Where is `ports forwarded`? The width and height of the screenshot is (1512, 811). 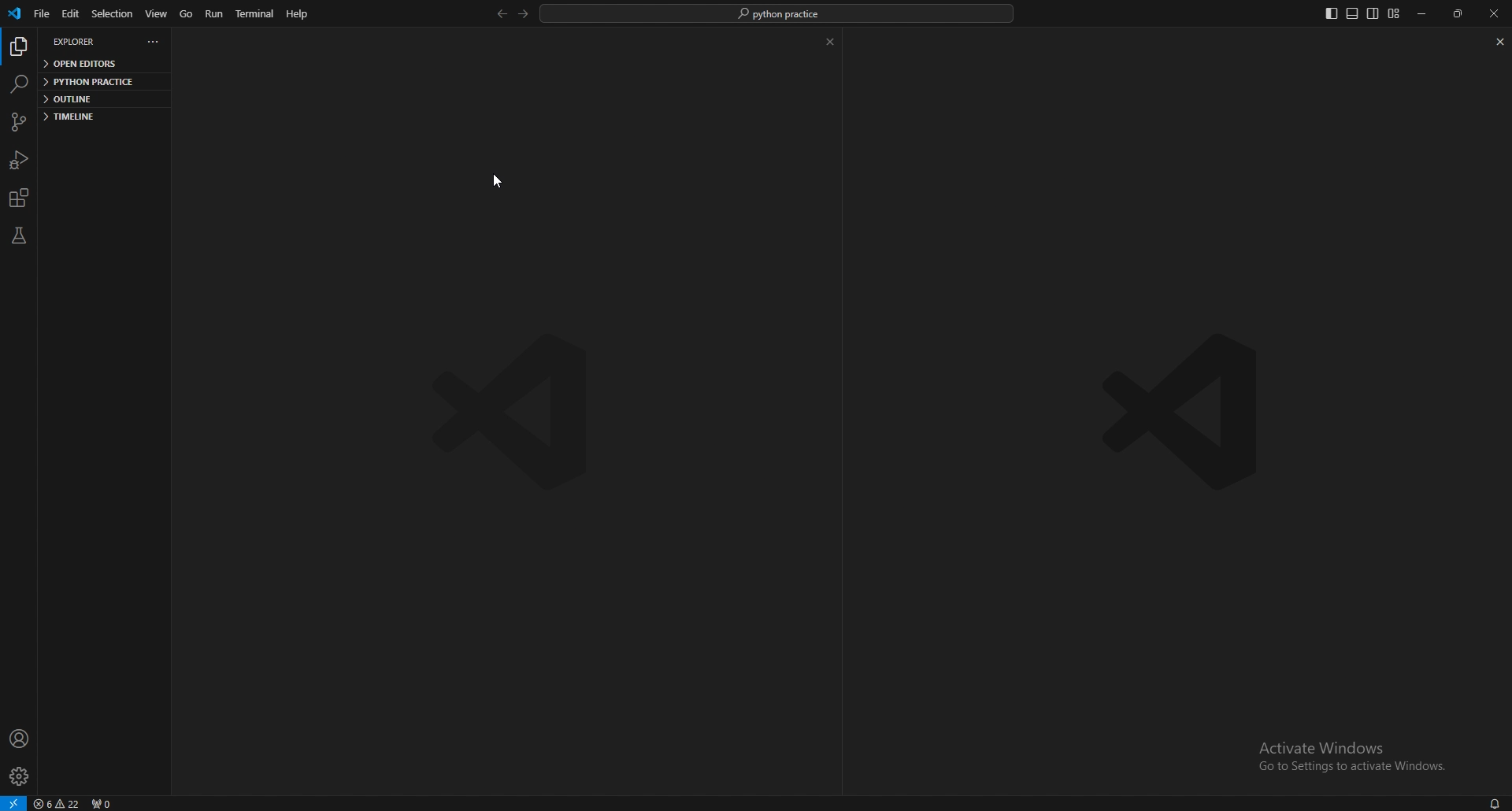
ports forwarded is located at coordinates (102, 803).